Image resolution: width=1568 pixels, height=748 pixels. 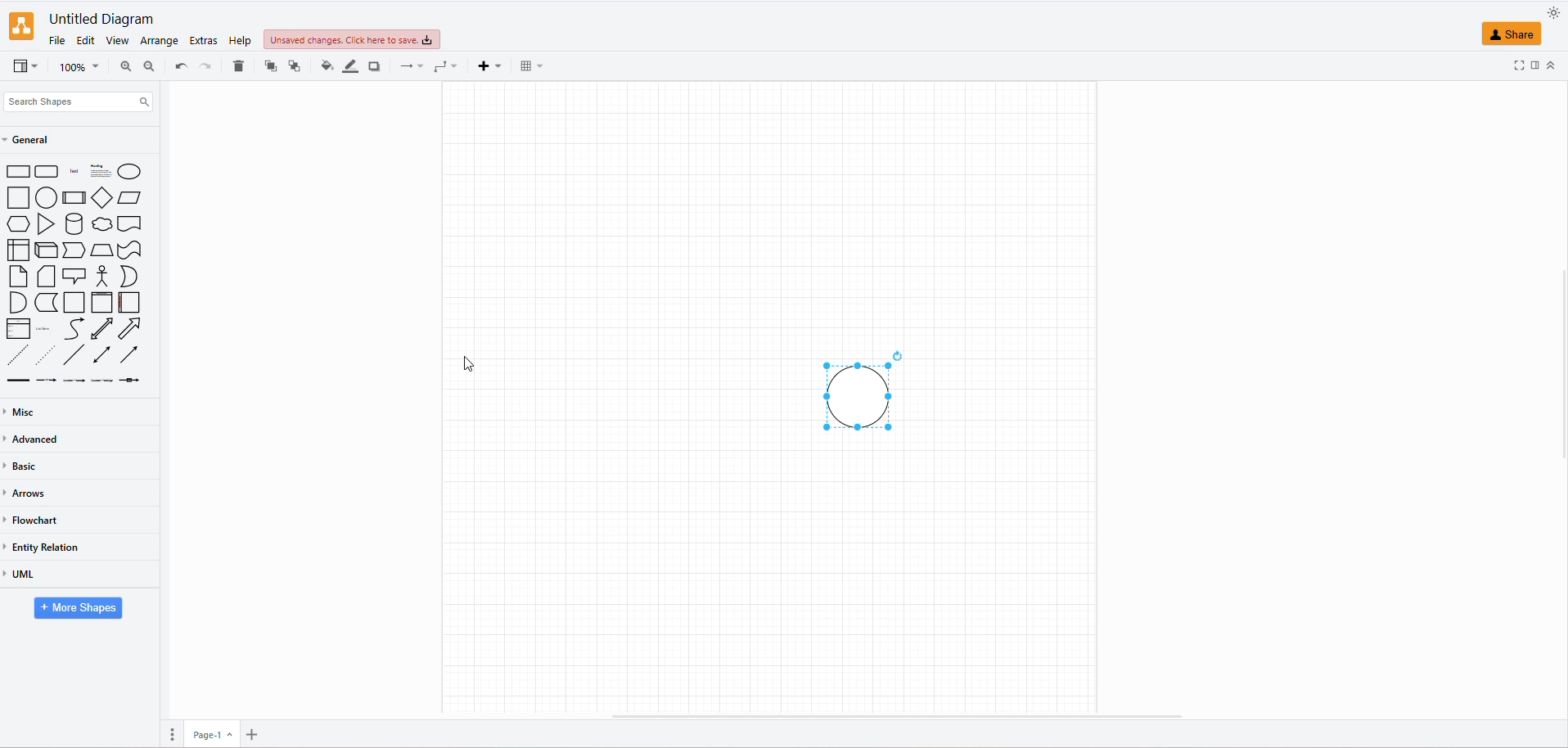 I want to click on CONTAINER, so click(x=100, y=302).